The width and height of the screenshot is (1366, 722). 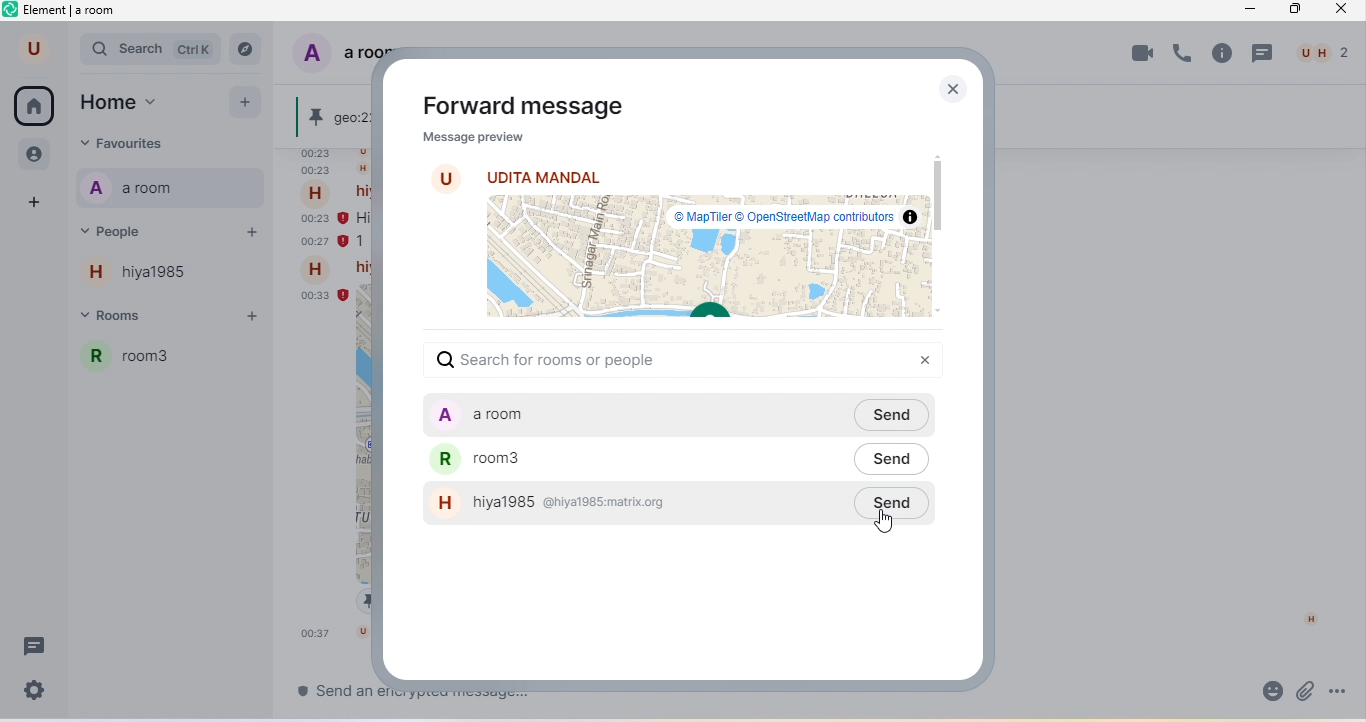 I want to click on element a room, so click(x=70, y=13).